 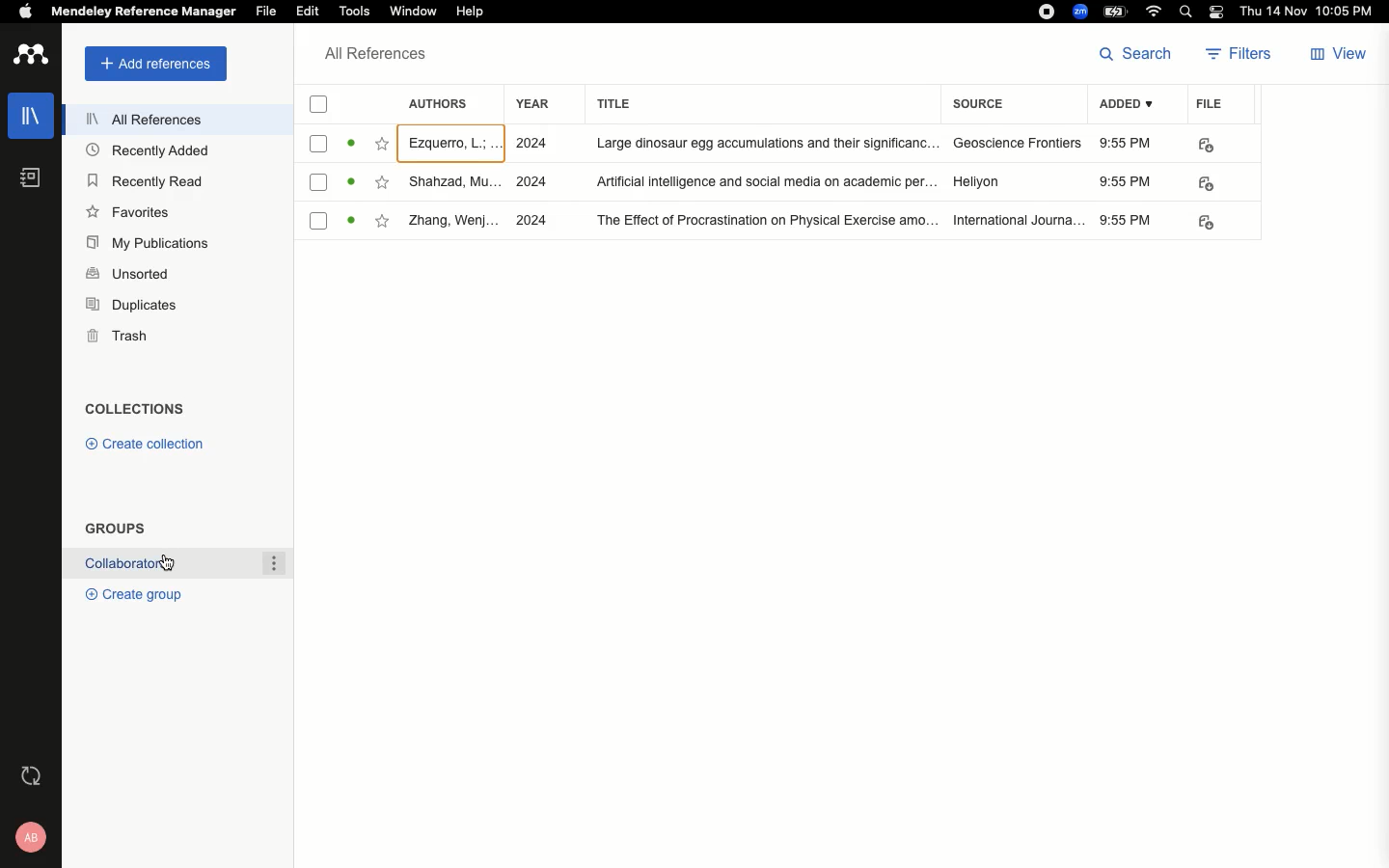 What do you see at coordinates (151, 64) in the screenshot?
I see `Add references` at bounding box center [151, 64].